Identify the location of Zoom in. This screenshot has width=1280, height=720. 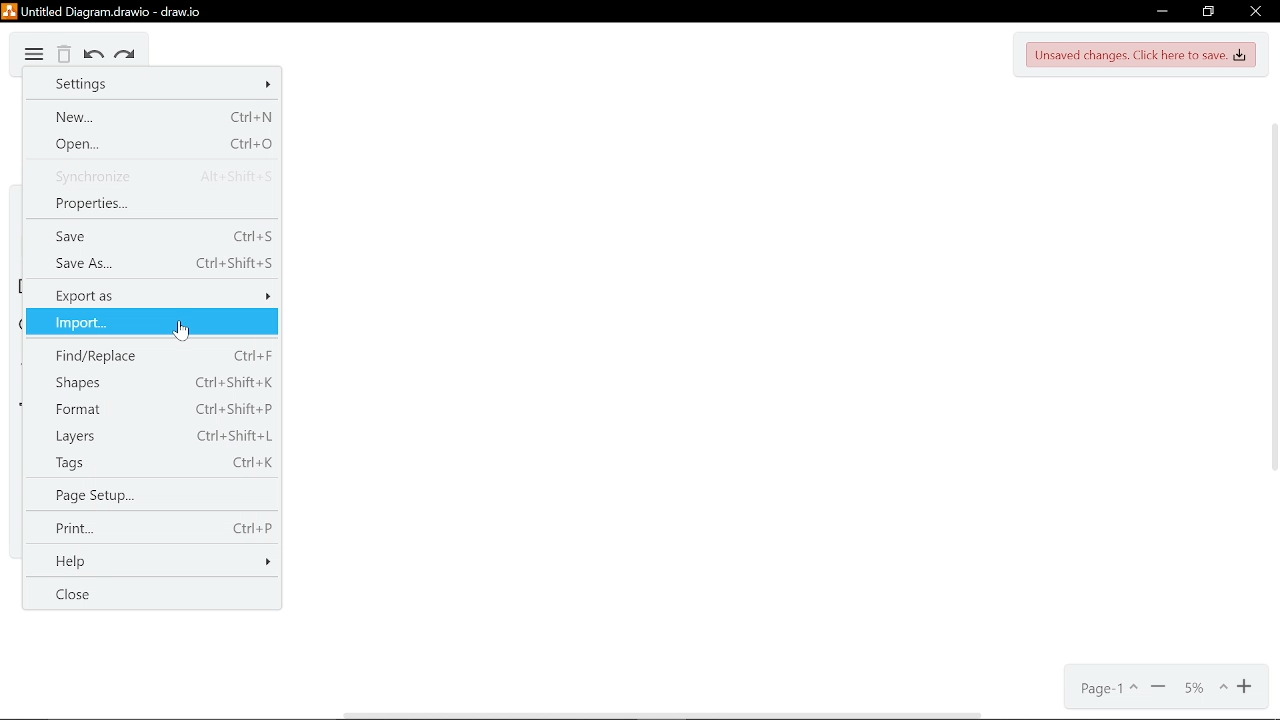
(1244, 687).